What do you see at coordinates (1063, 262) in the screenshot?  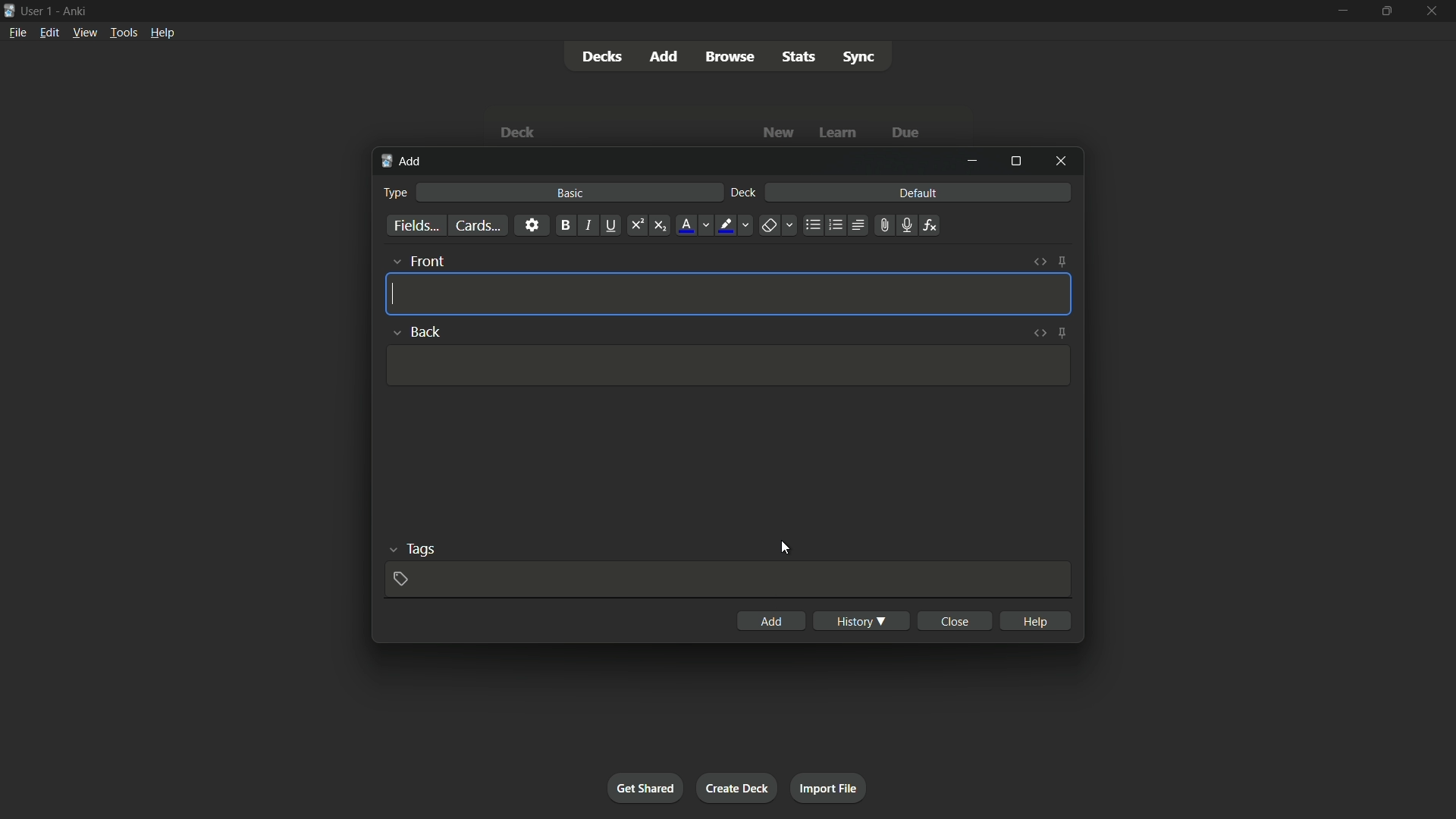 I see `toggle sticky` at bounding box center [1063, 262].